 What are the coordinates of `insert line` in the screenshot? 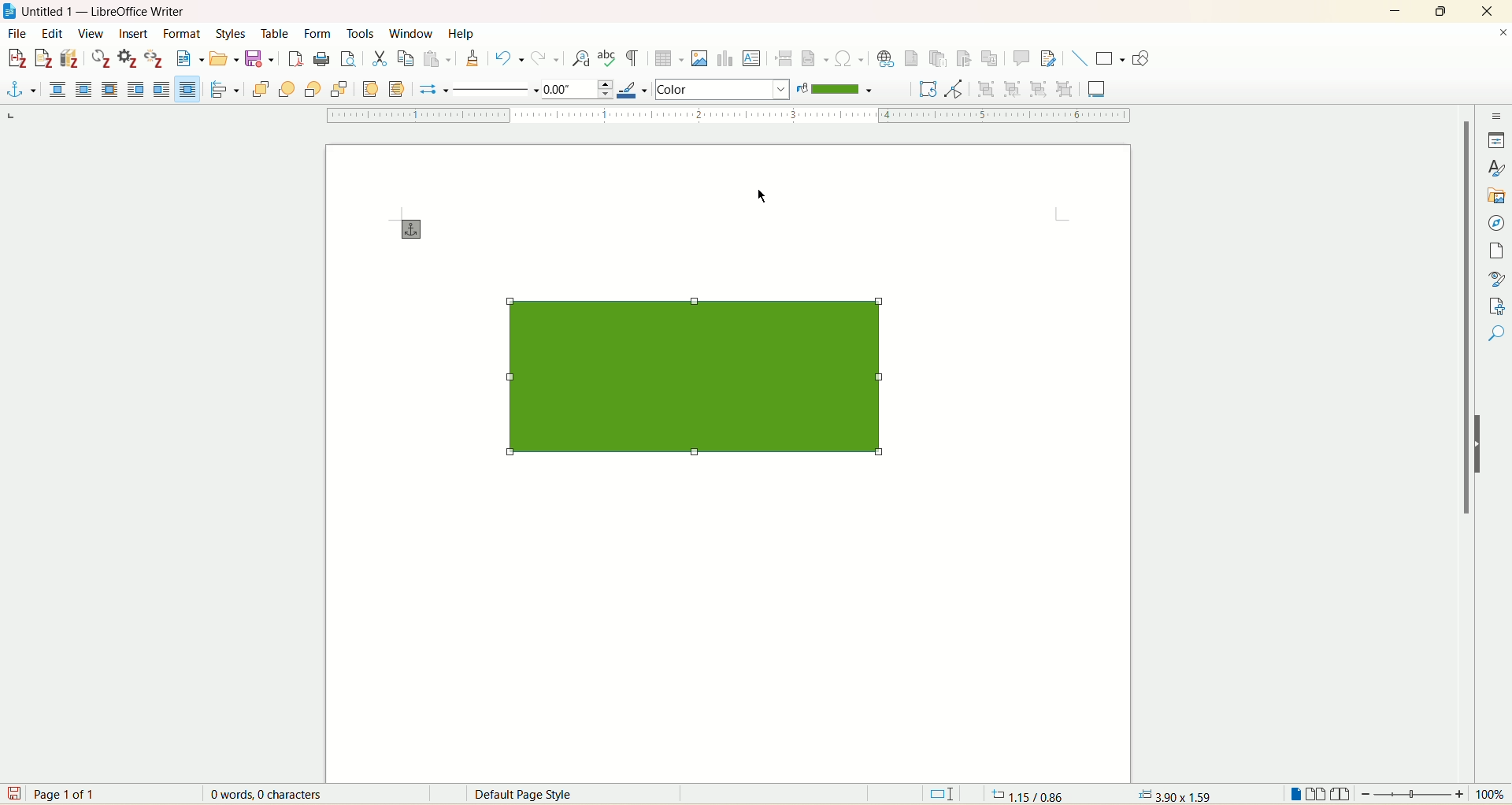 It's located at (1078, 58).